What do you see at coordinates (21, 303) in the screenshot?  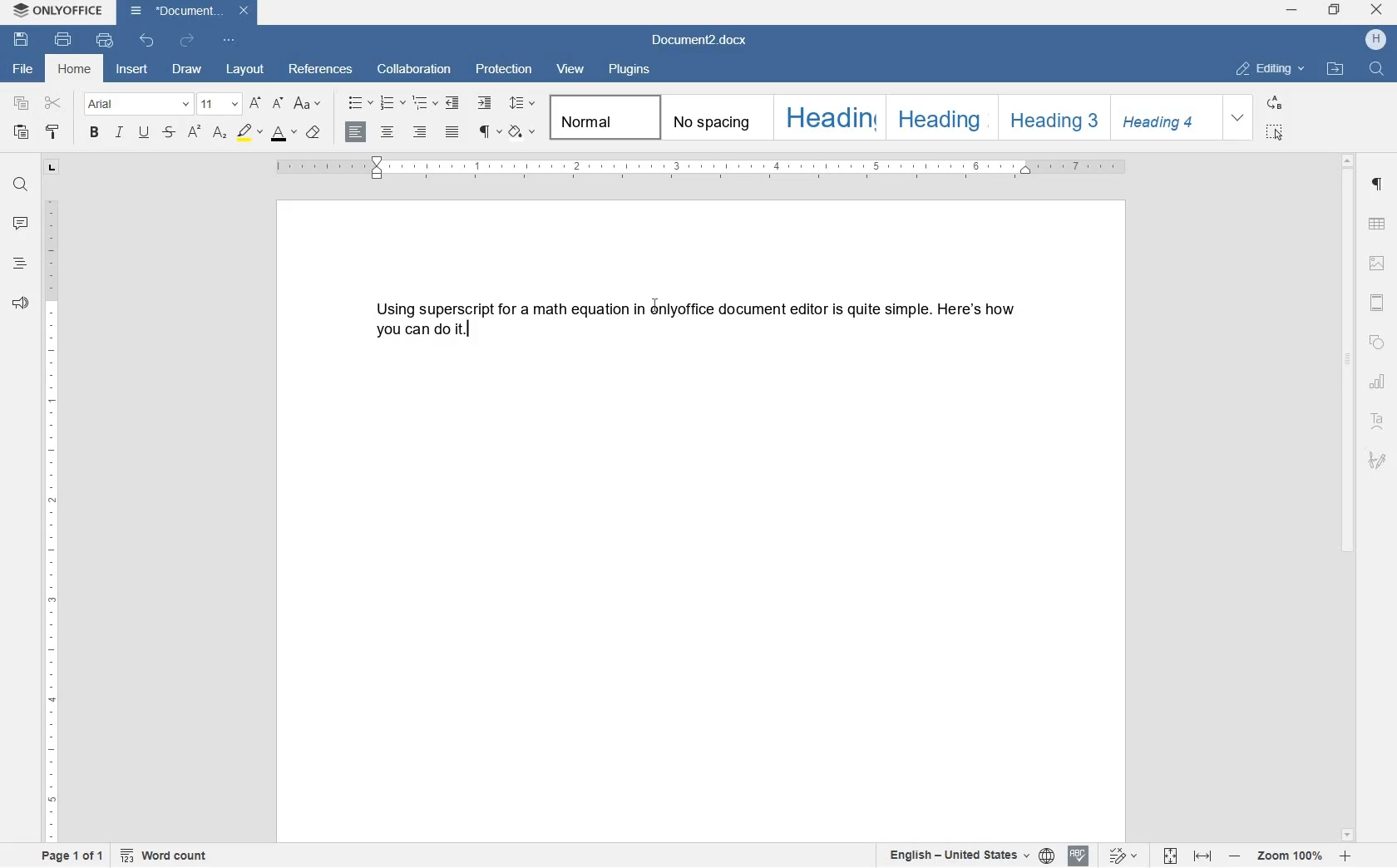 I see `feedback & support` at bounding box center [21, 303].